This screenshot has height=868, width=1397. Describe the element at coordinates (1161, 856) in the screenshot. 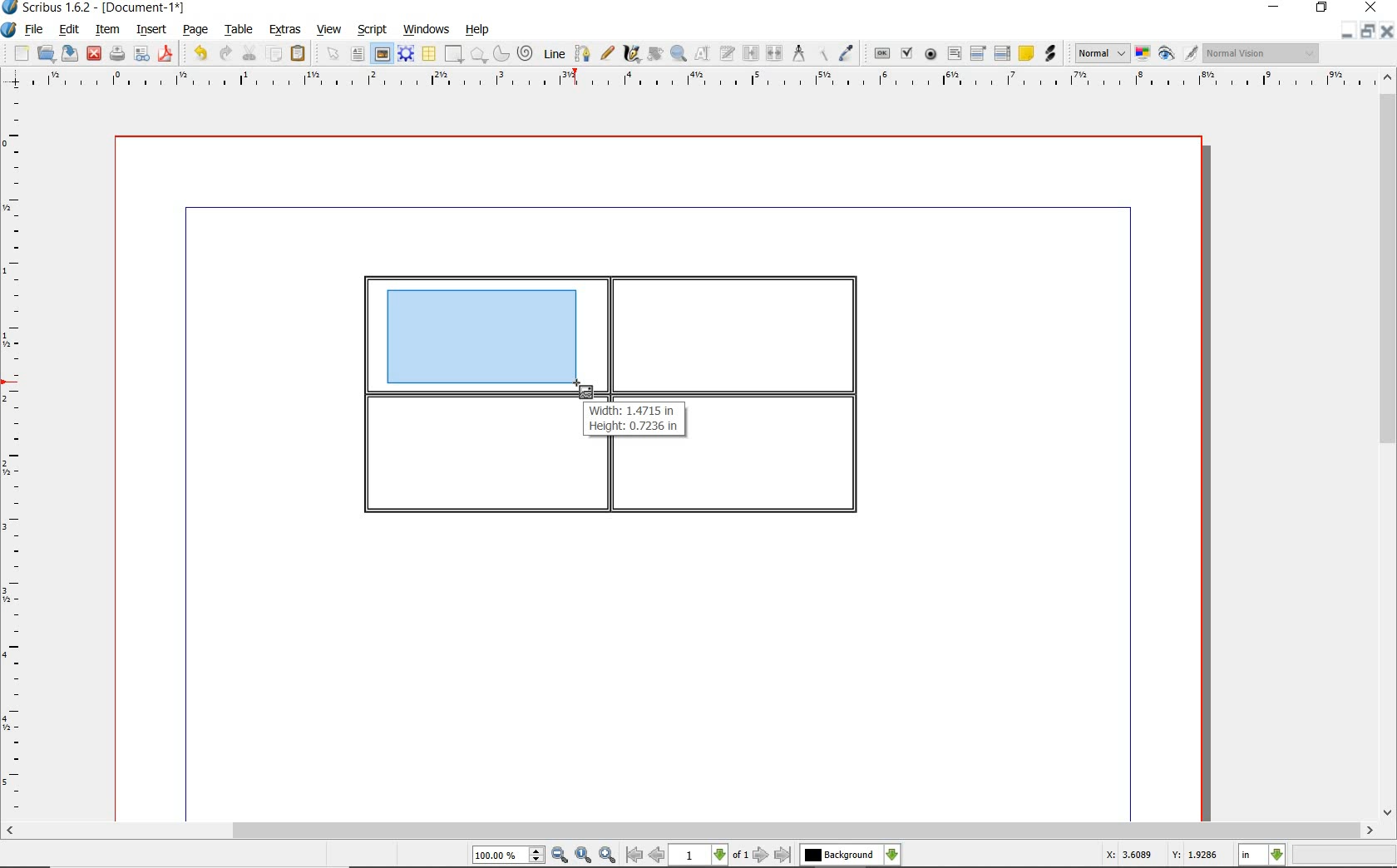

I see `X: 3.6089 Y: 1.9286` at that location.